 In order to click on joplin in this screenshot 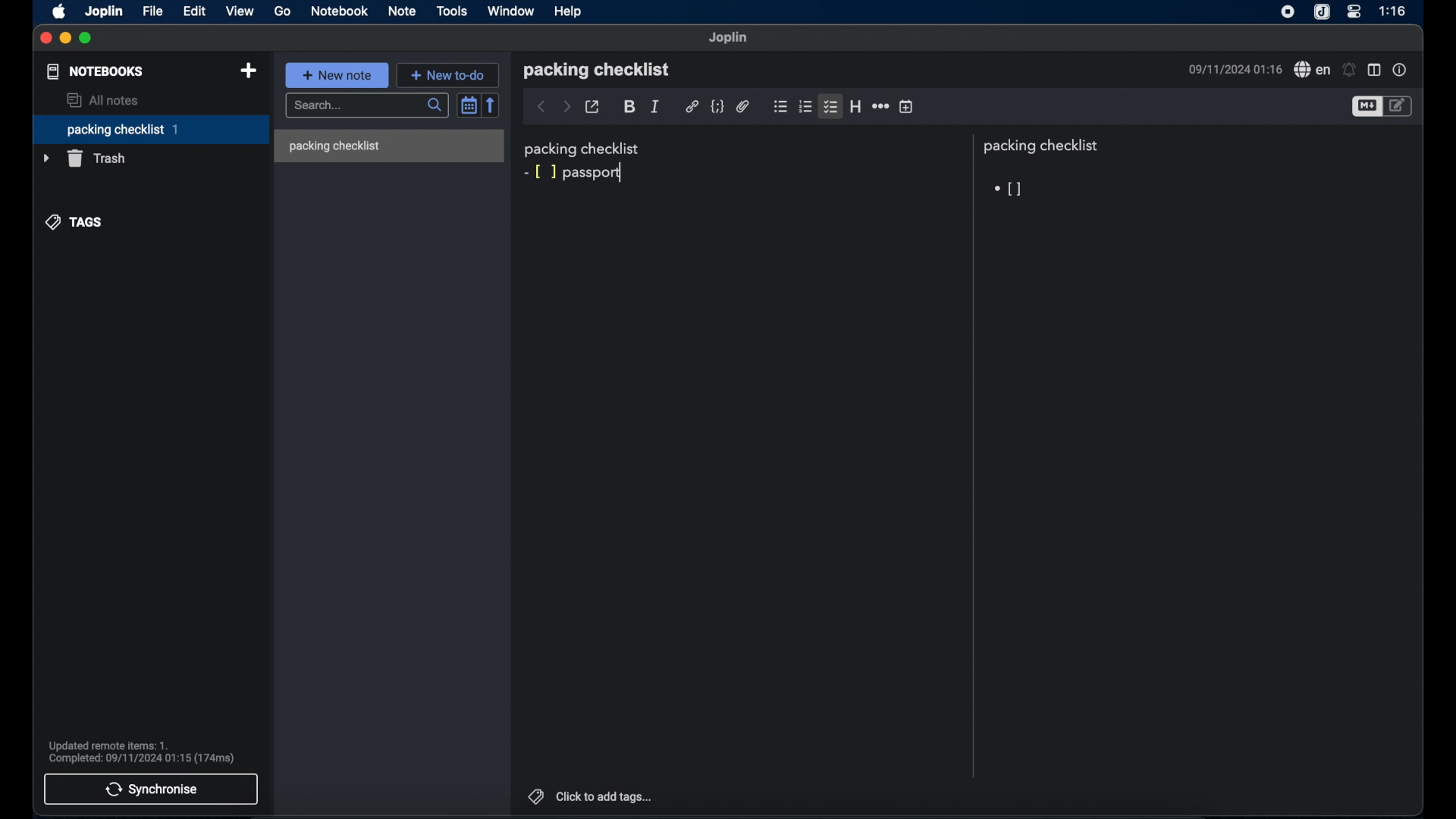, I will do `click(730, 38)`.